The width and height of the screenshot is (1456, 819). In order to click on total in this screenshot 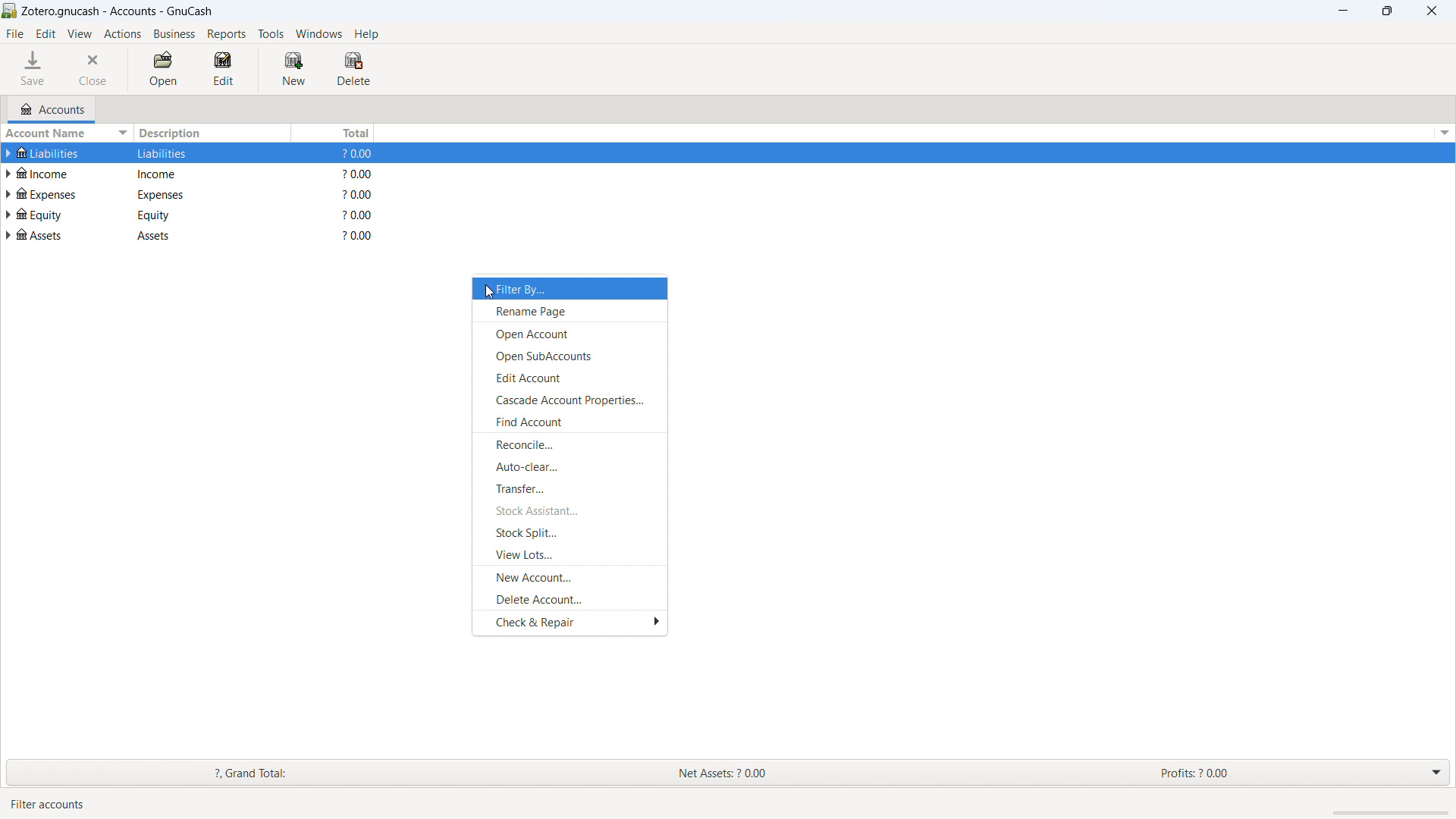, I will do `click(335, 132)`.